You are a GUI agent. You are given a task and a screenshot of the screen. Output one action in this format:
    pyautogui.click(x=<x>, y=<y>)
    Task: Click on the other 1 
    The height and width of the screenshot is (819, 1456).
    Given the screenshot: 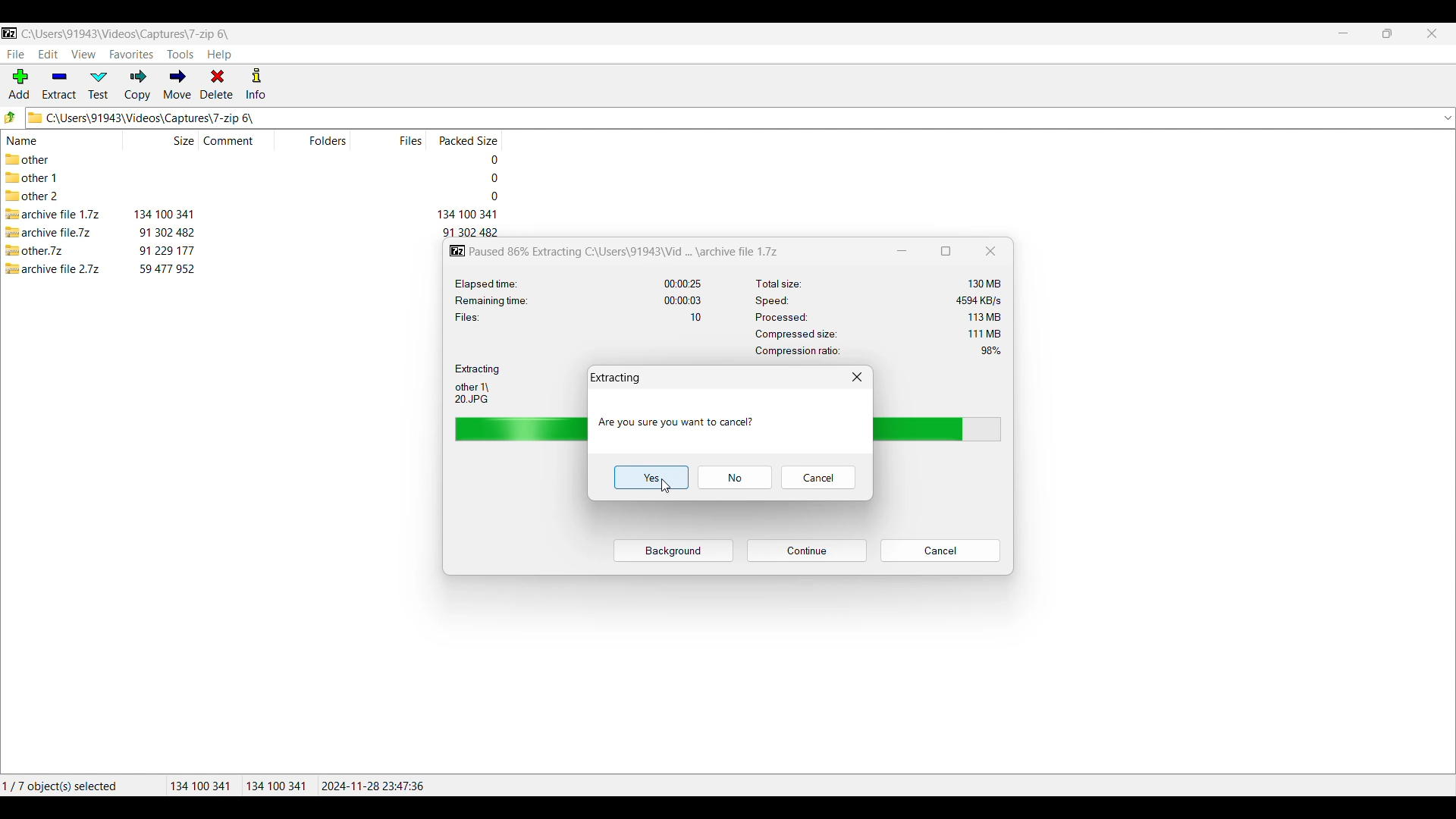 What is the action you would take?
    pyautogui.click(x=39, y=178)
    